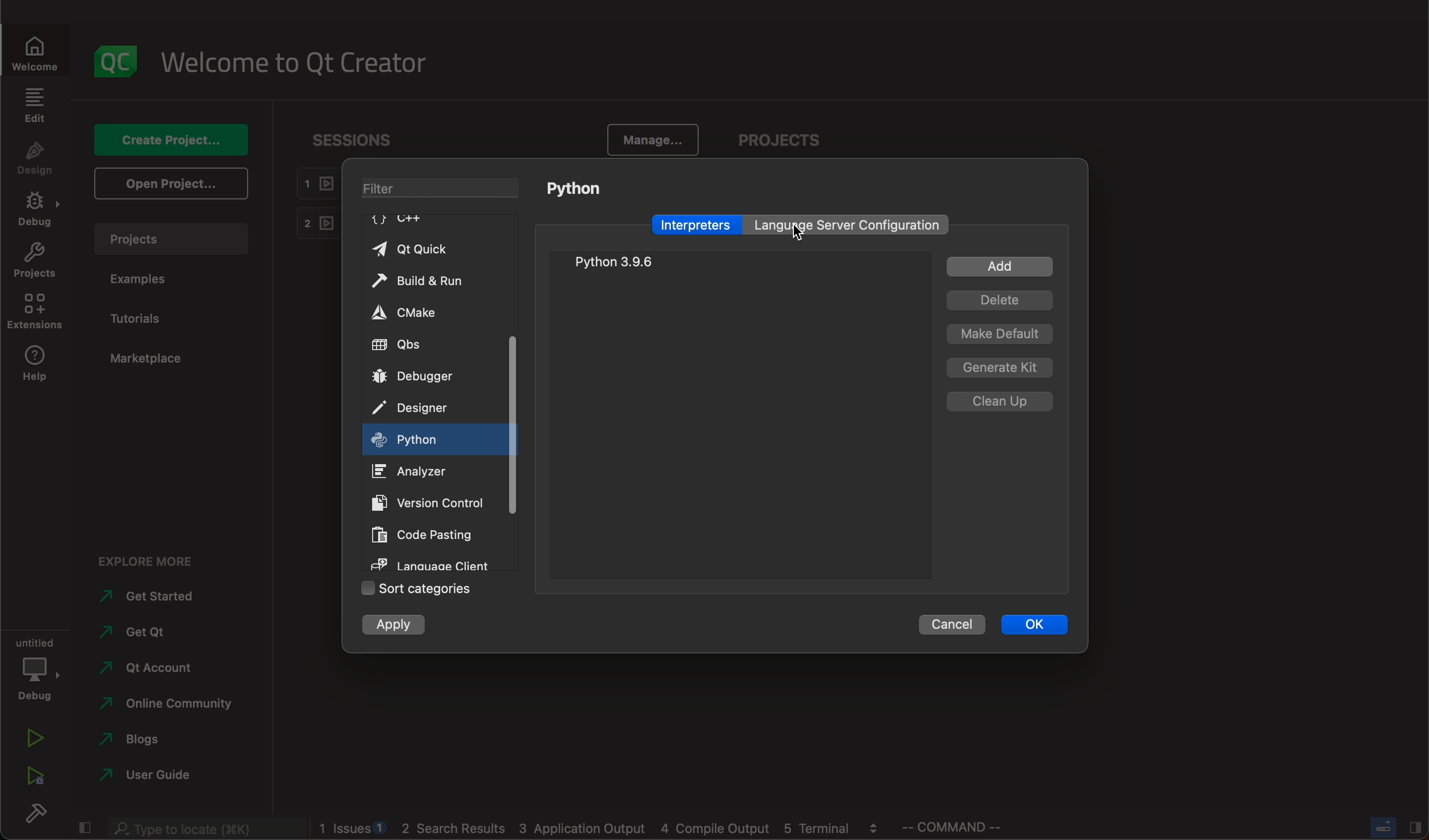 This screenshot has height=840, width=1429. Describe the element at coordinates (34, 813) in the screenshot. I see `build` at that location.